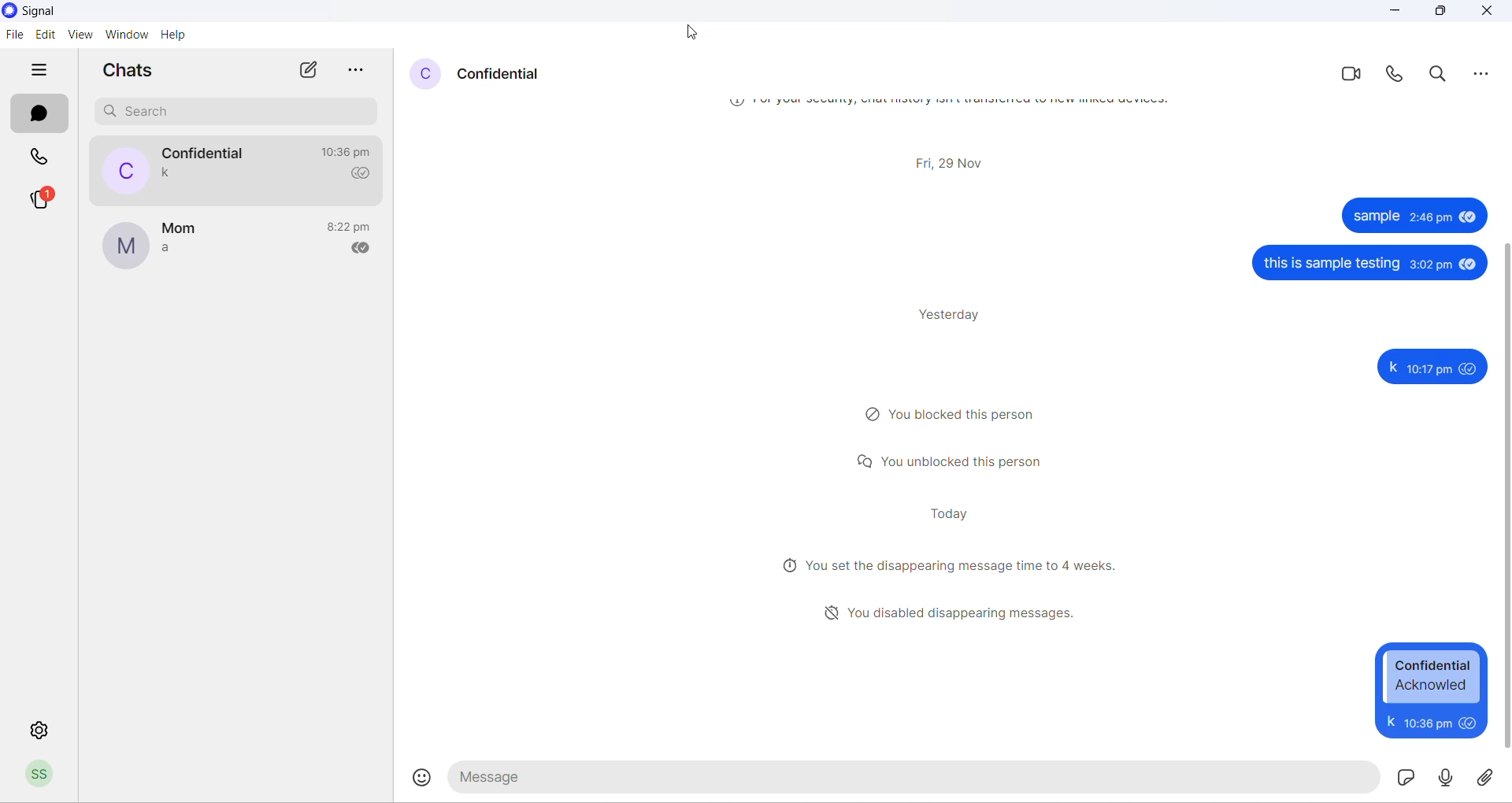 The height and width of the screenshot is (803, 1512). I want to click on last message time, so click(349, 152).